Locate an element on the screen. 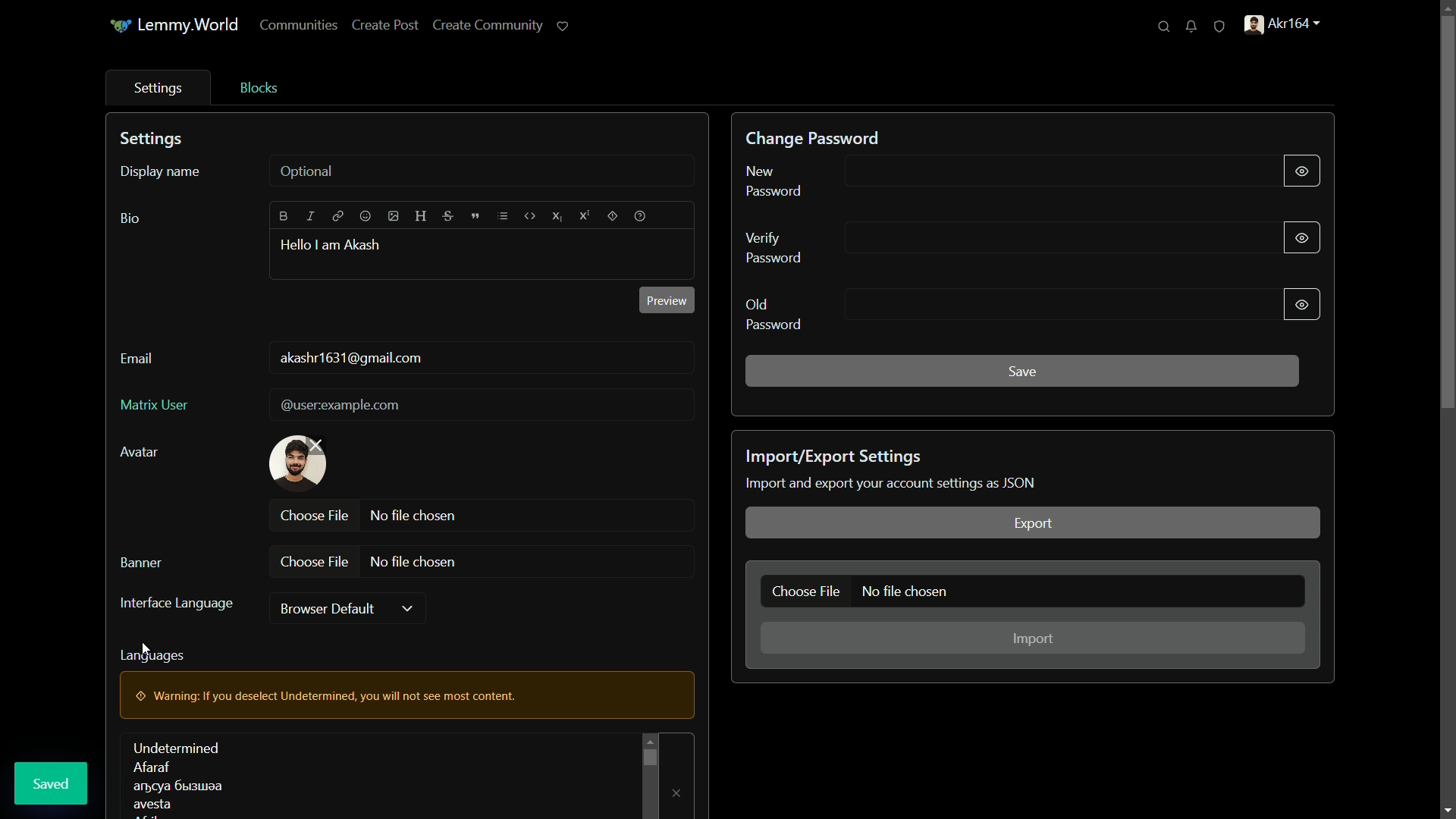  remove is located at coordinates (673, 792).